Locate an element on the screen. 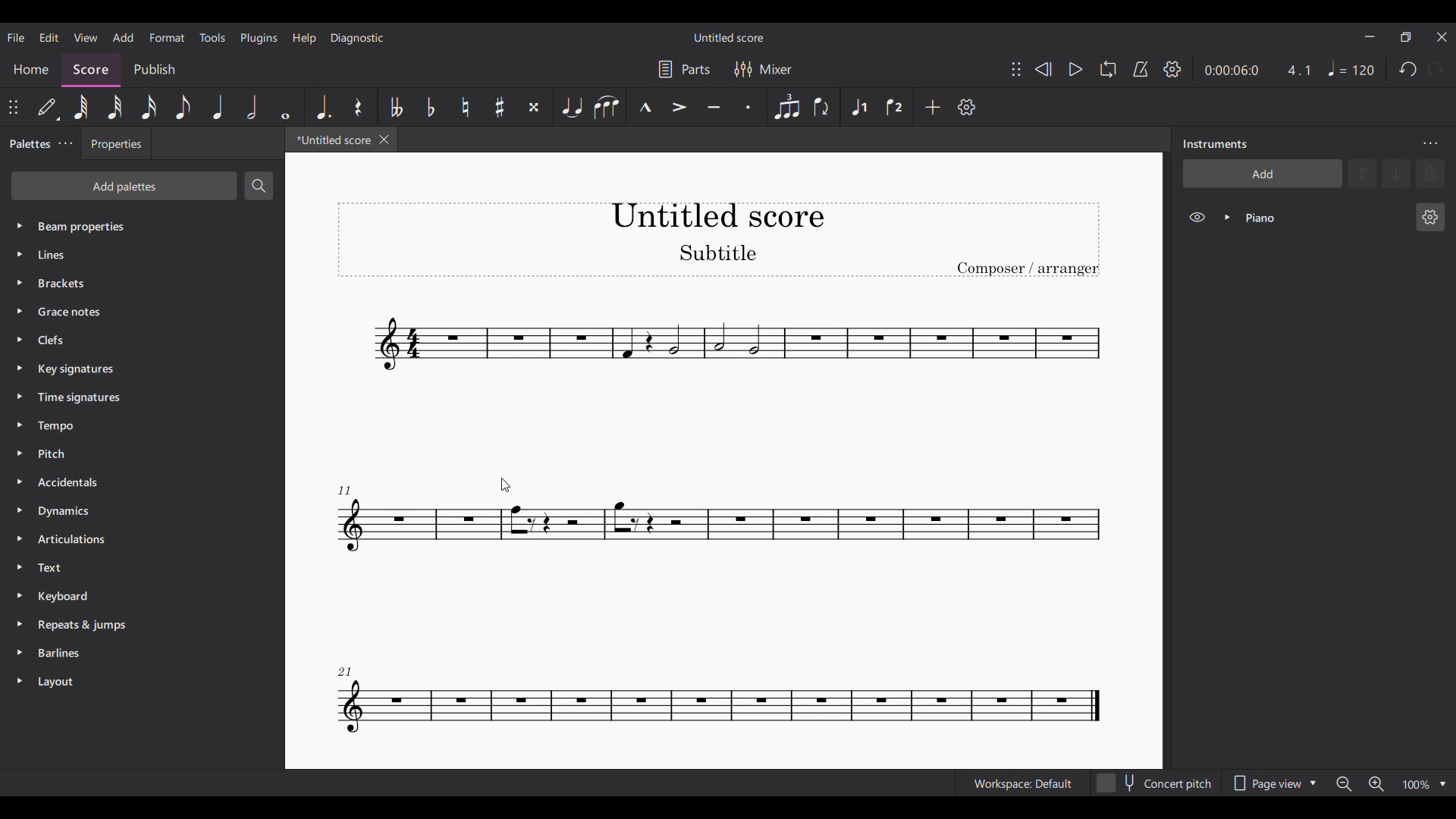 The width and height of the screenshot is (1456, 819). Keyboard is located at coordinates (130, 595).